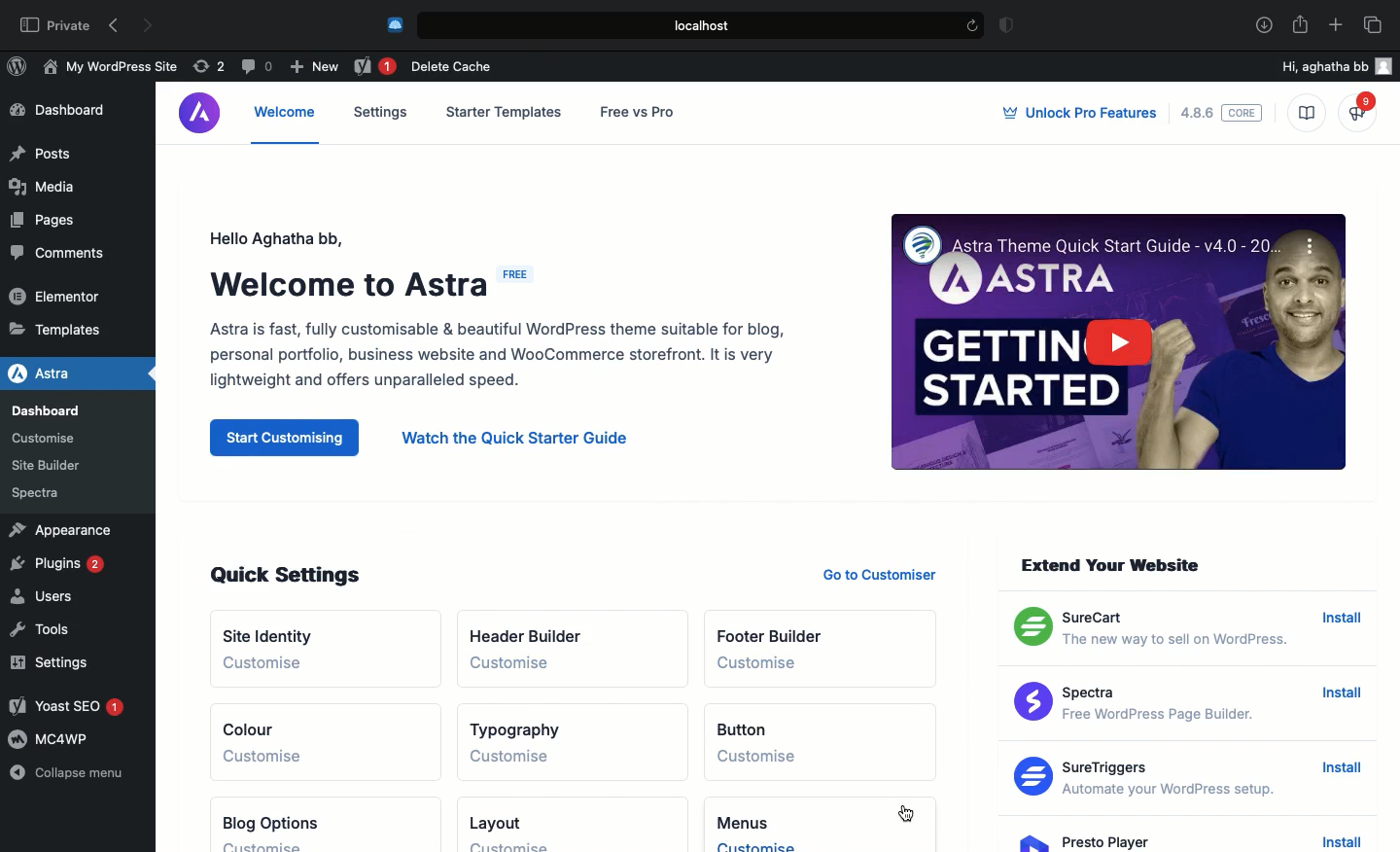 The image size is (1400, 852). Describe the element at coordinates (516, 756) in the screenshot. I see `Customise` at that location.